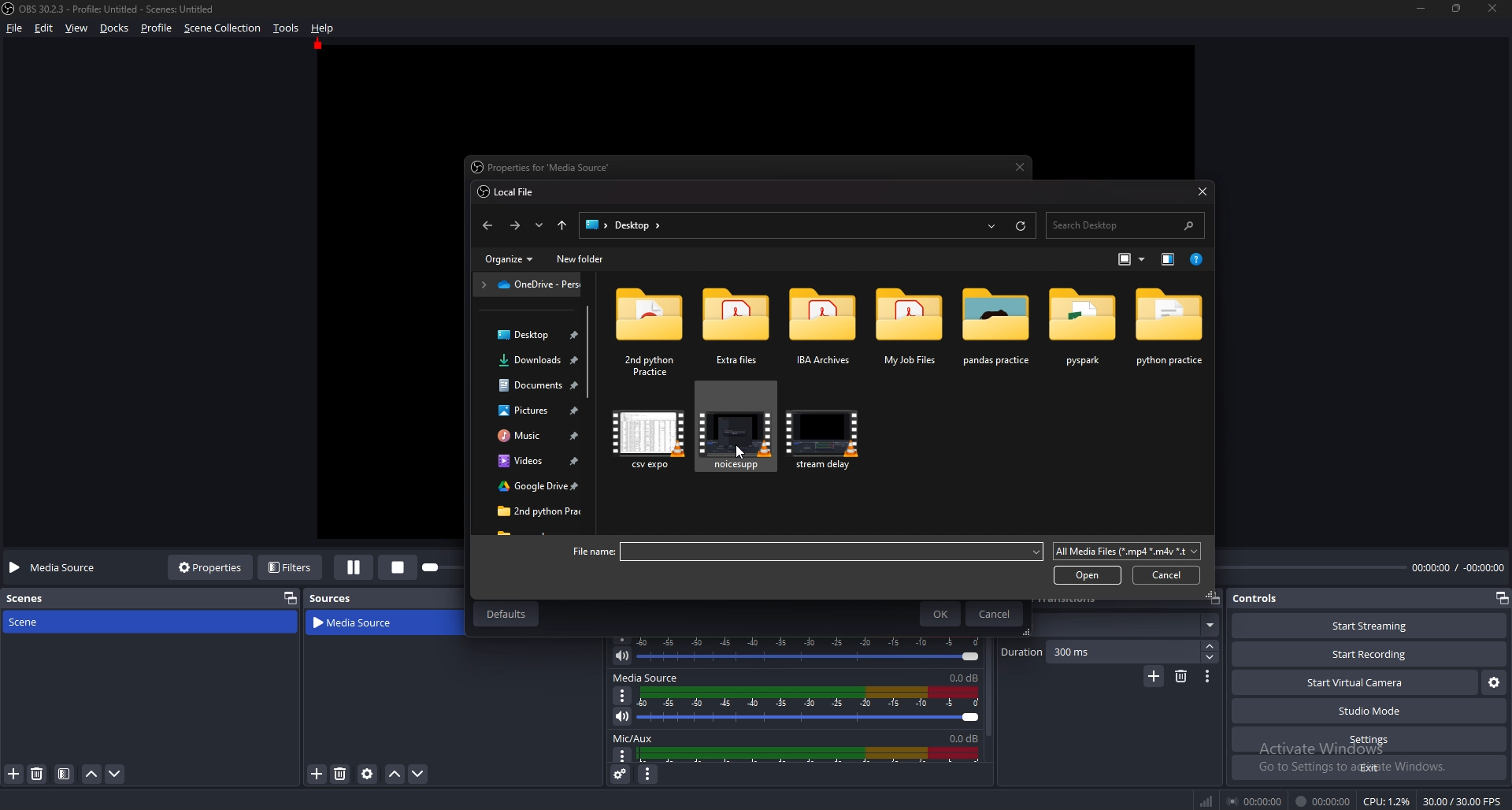  I want to click on mute, so click(622, 656).